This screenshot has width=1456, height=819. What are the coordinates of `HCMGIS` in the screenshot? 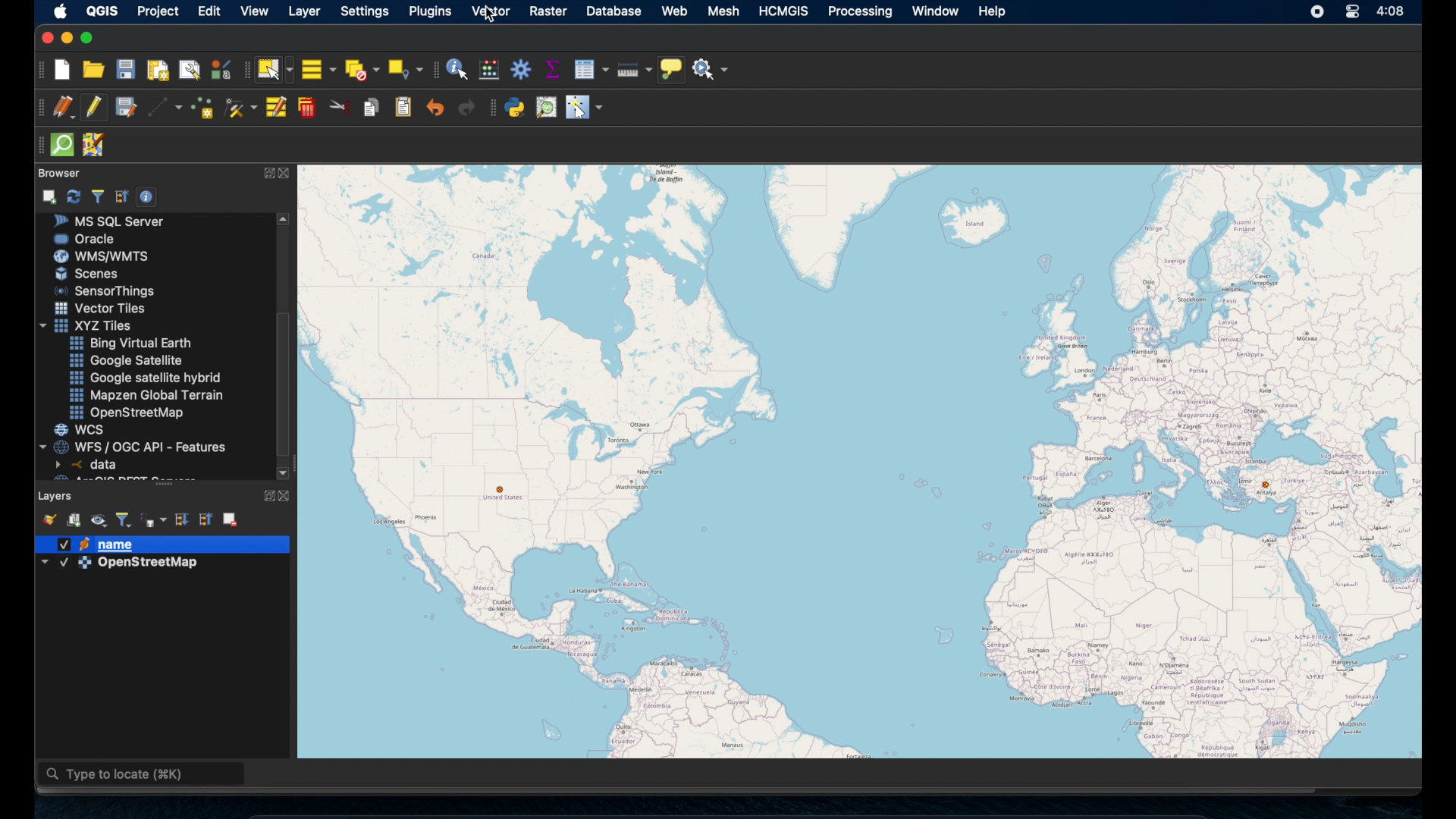 It's located at (786, 11).